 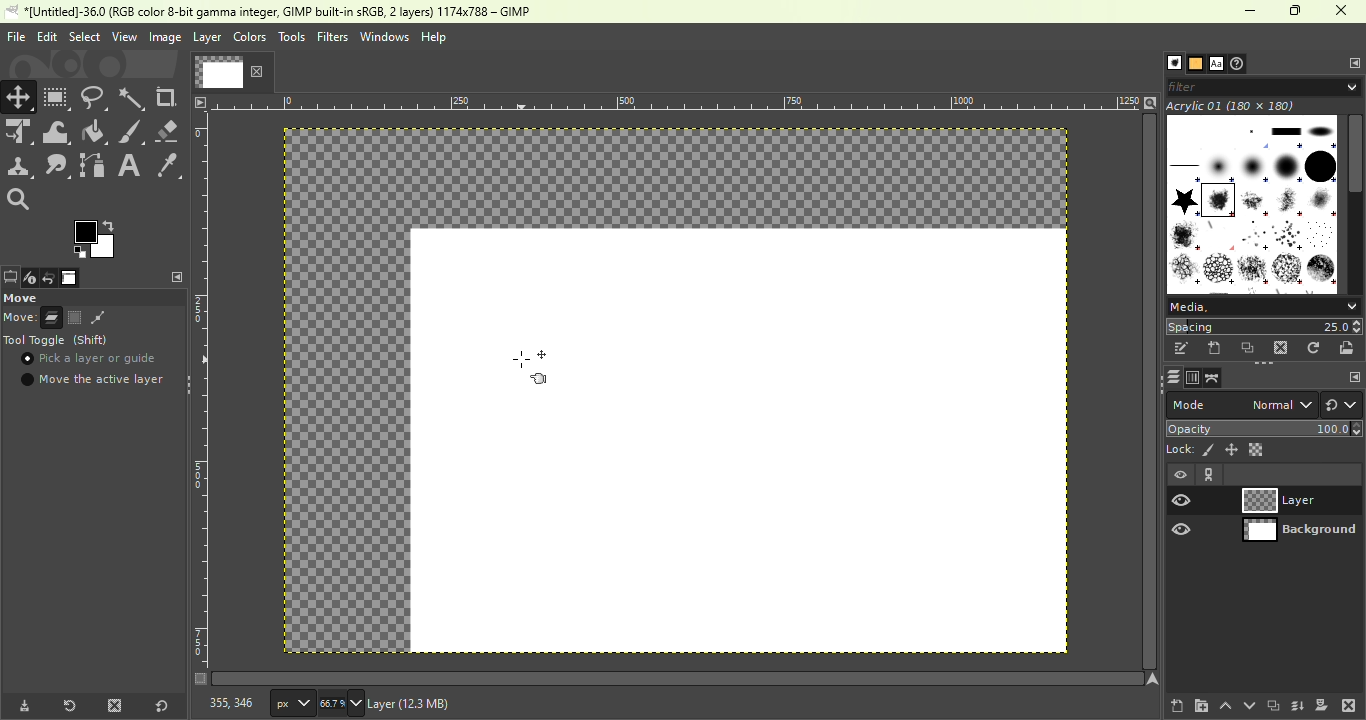 What do you see at coordinates (14, 36) in the screenshot?
I see `File` at bounding box center [14, 36].